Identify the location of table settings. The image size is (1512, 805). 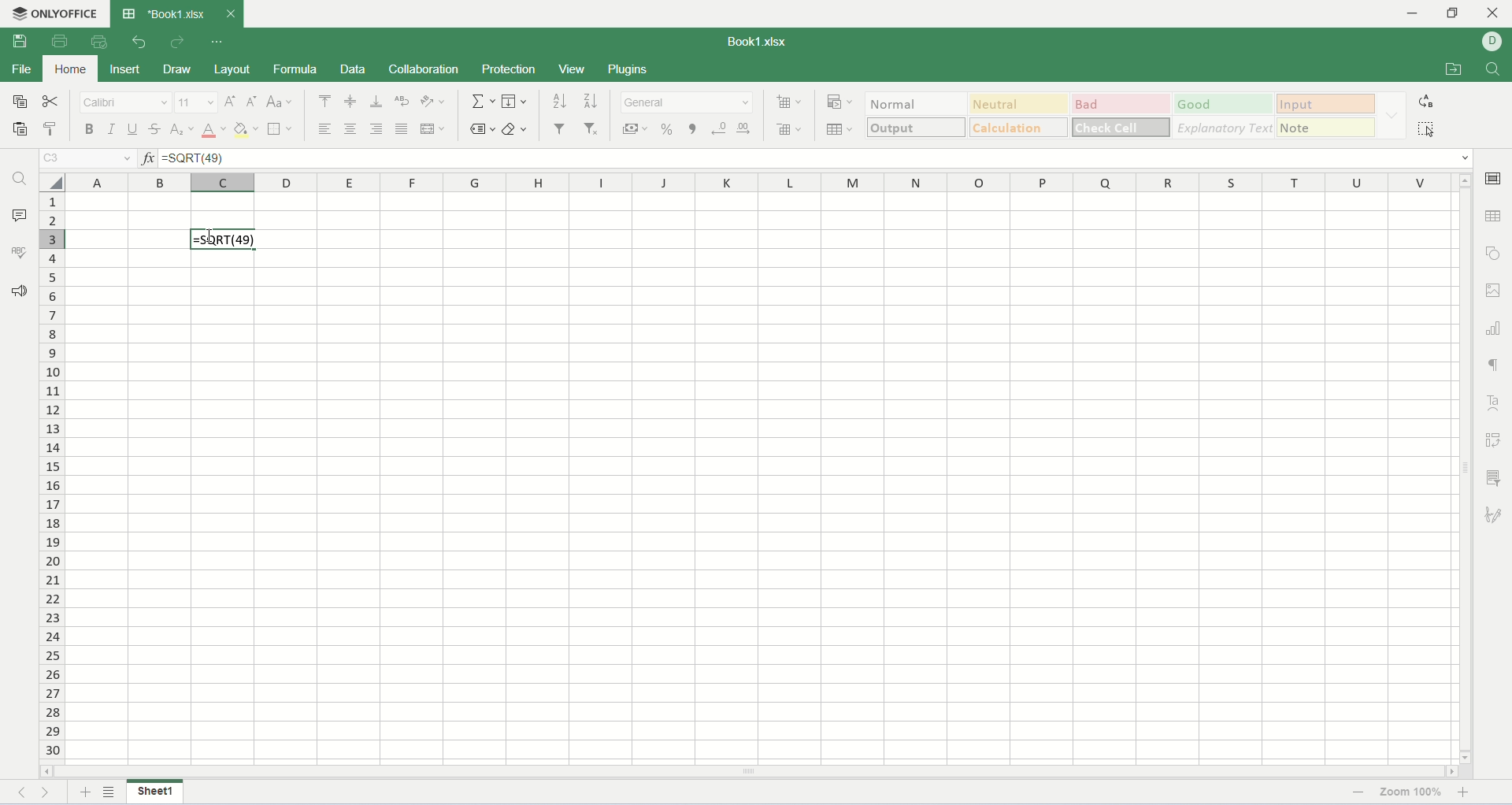
(1496, 218).